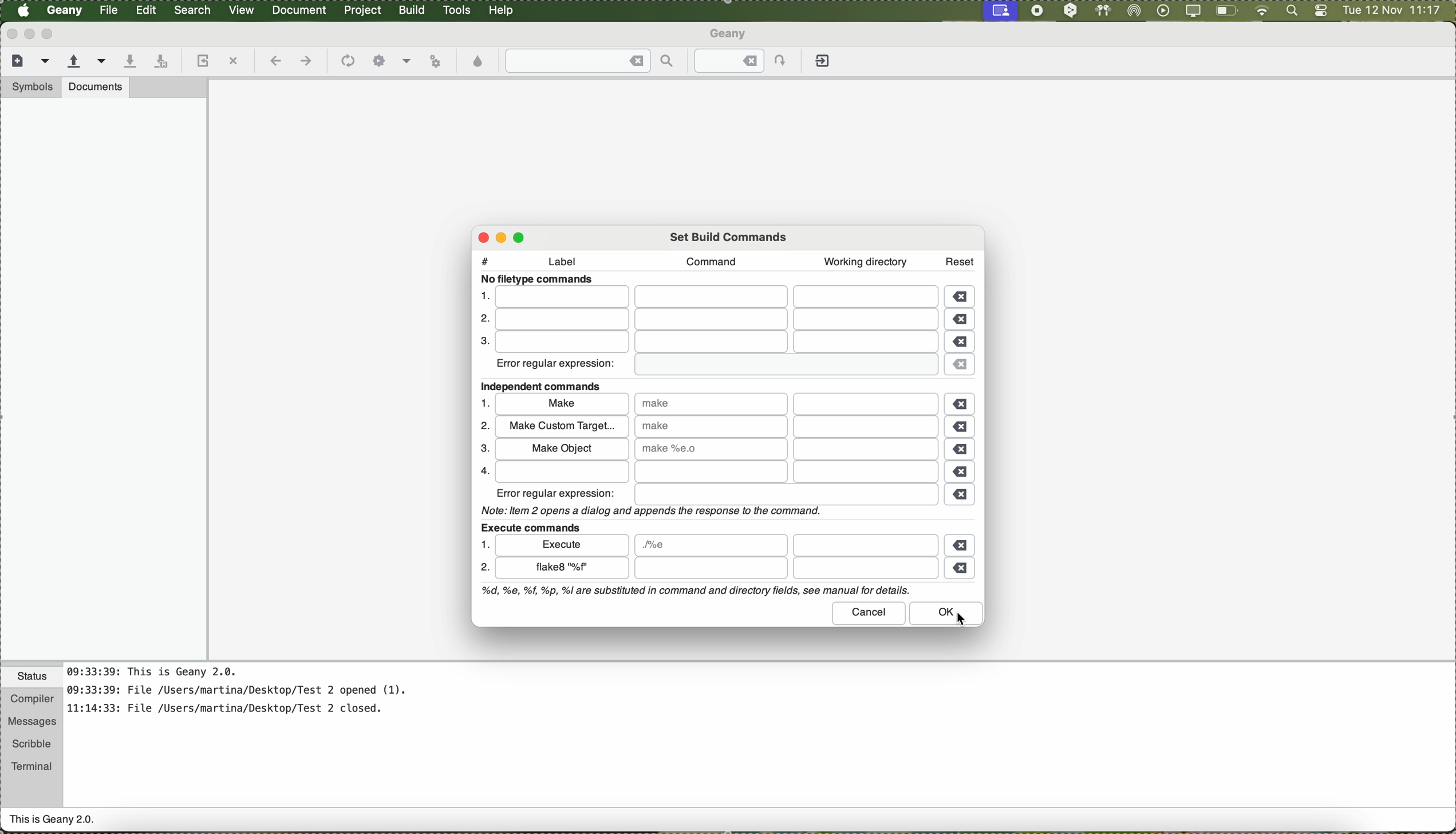  Describe the element at coordinates (747, 61) in the screenshot. I see `jump to the entered line number` at that location.